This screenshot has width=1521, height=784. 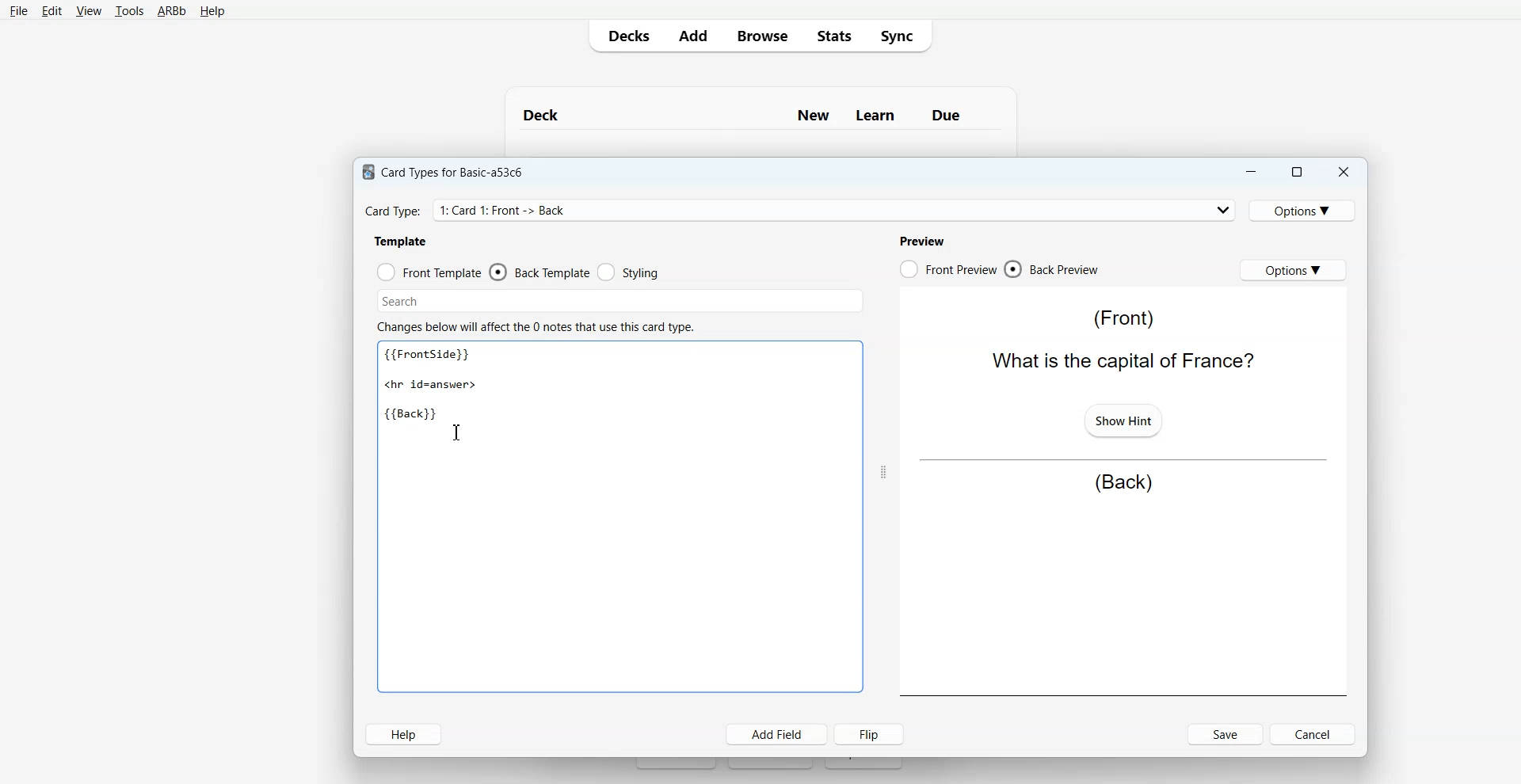 What do you see at coordinates (1052, 269) in the screenshot?
I see `Back Preview` at bounding box center [1052, 269].